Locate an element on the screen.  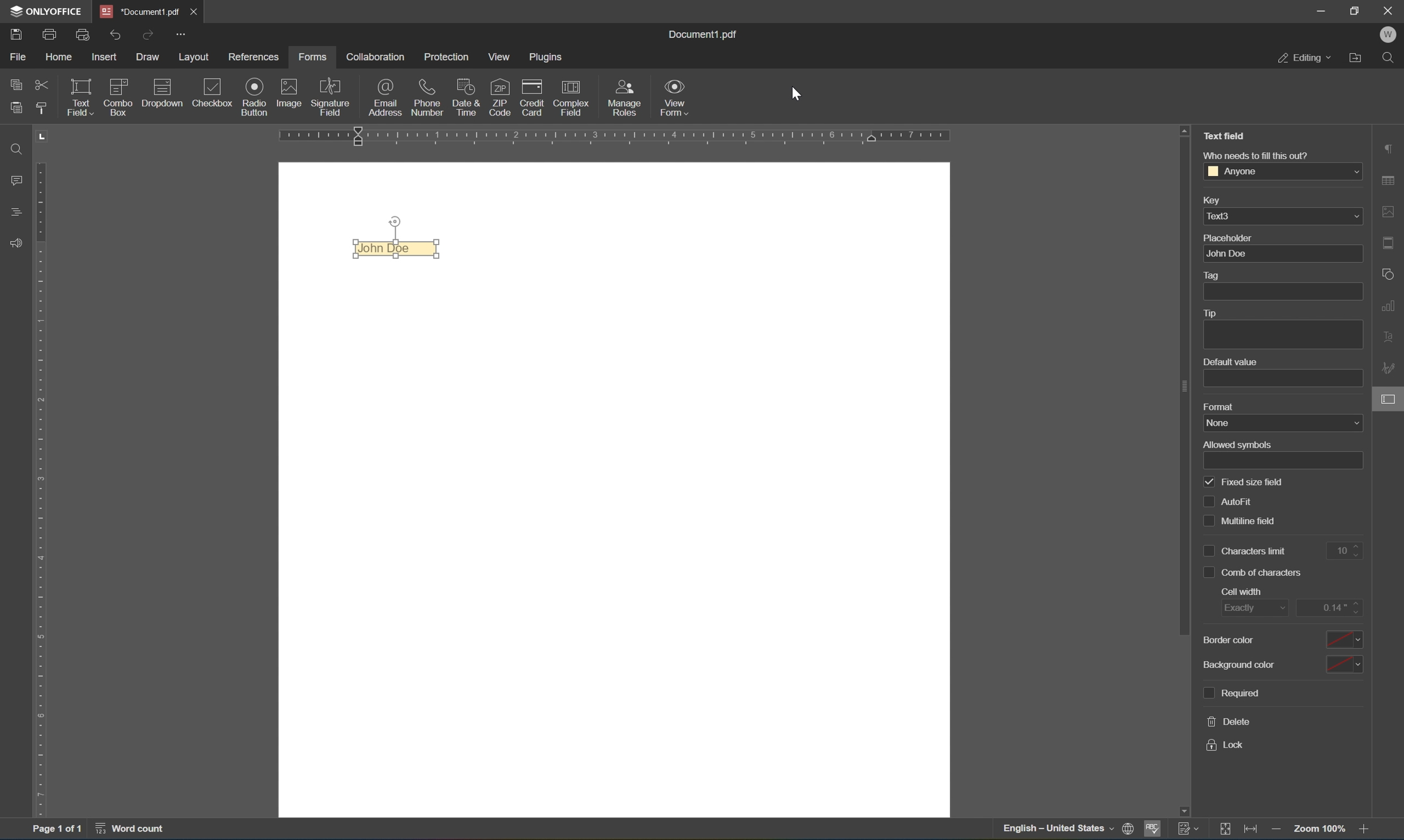
multiline field is located at coordinates (1238, 521).